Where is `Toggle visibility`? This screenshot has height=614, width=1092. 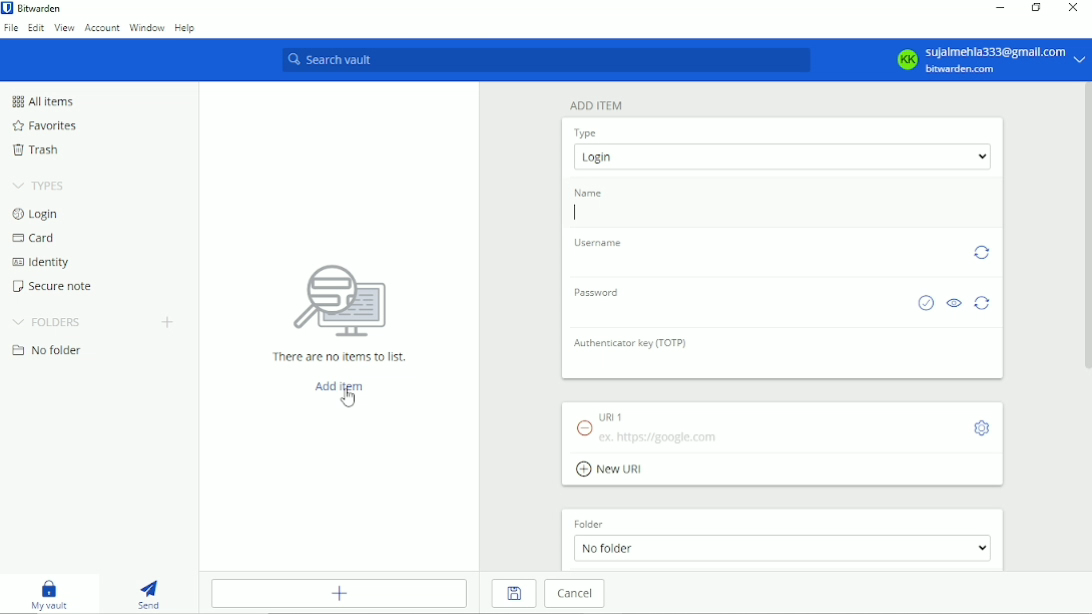 Toggle visibility is located at coordinates (954, 302).